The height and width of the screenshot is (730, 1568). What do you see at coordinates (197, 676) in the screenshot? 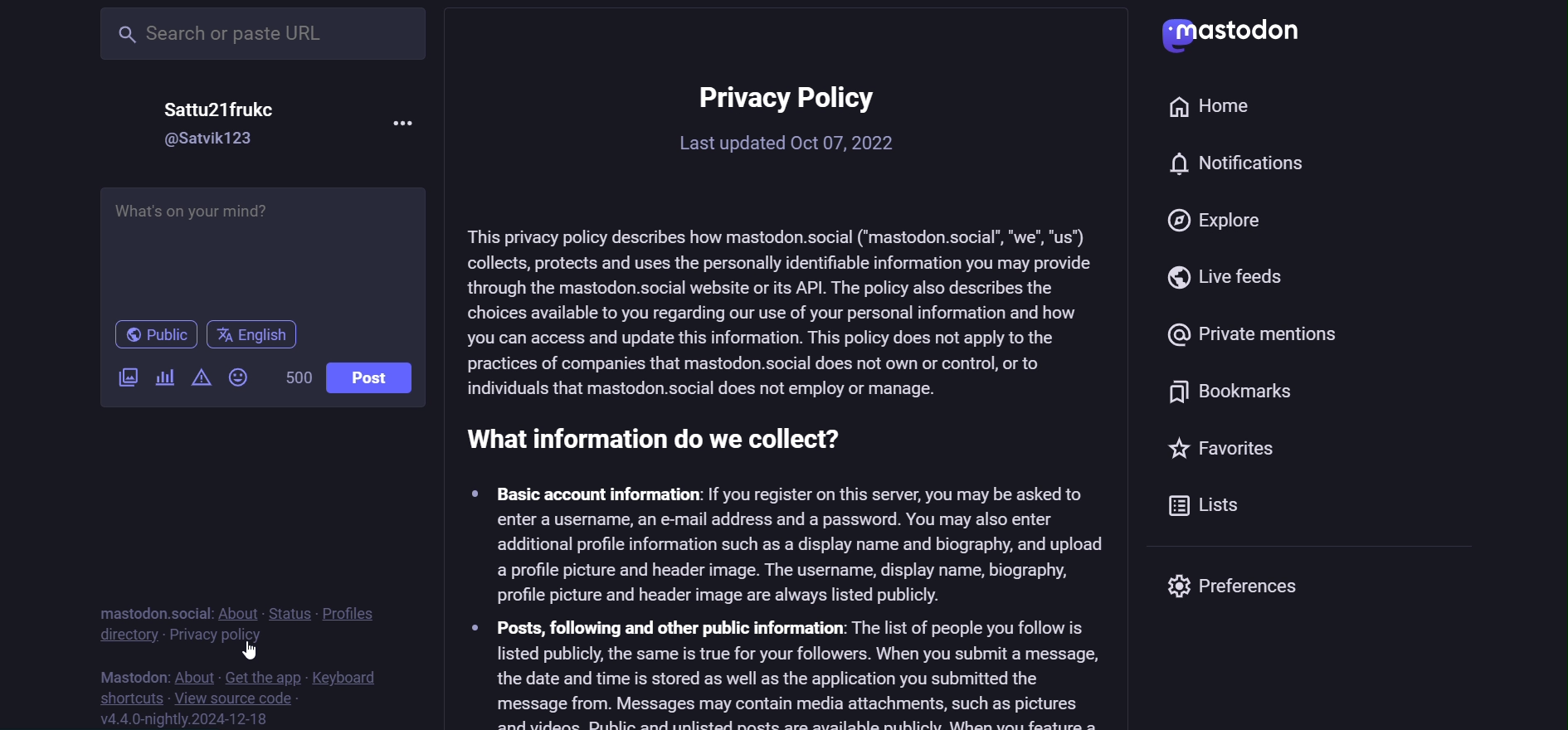
I see `about` at bounding box center [197, 676].